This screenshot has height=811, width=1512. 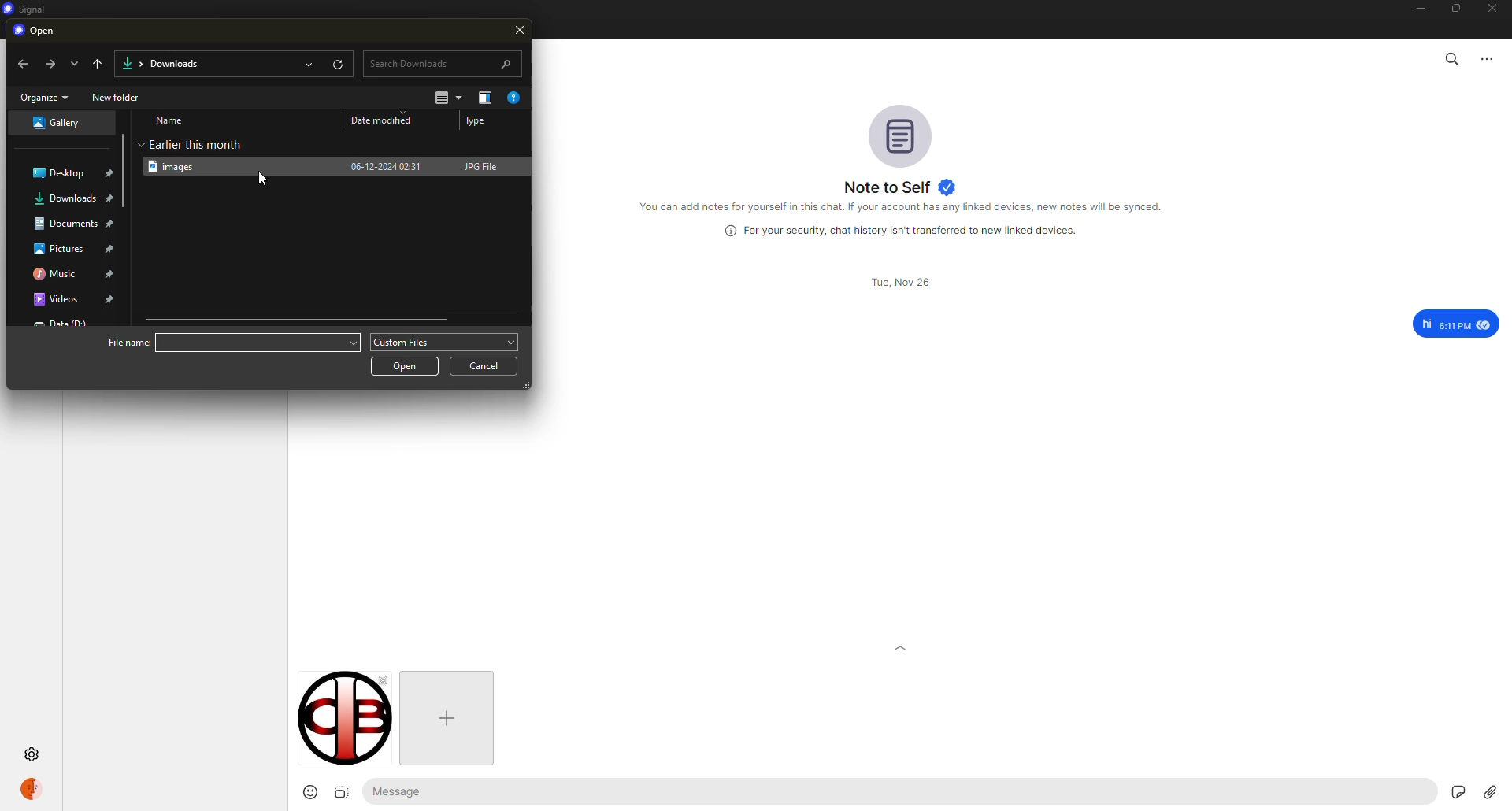 What do you see at coordinates (120, 146) in the screenshot?
I see `scroll bar` at bounding box center [120, 146].